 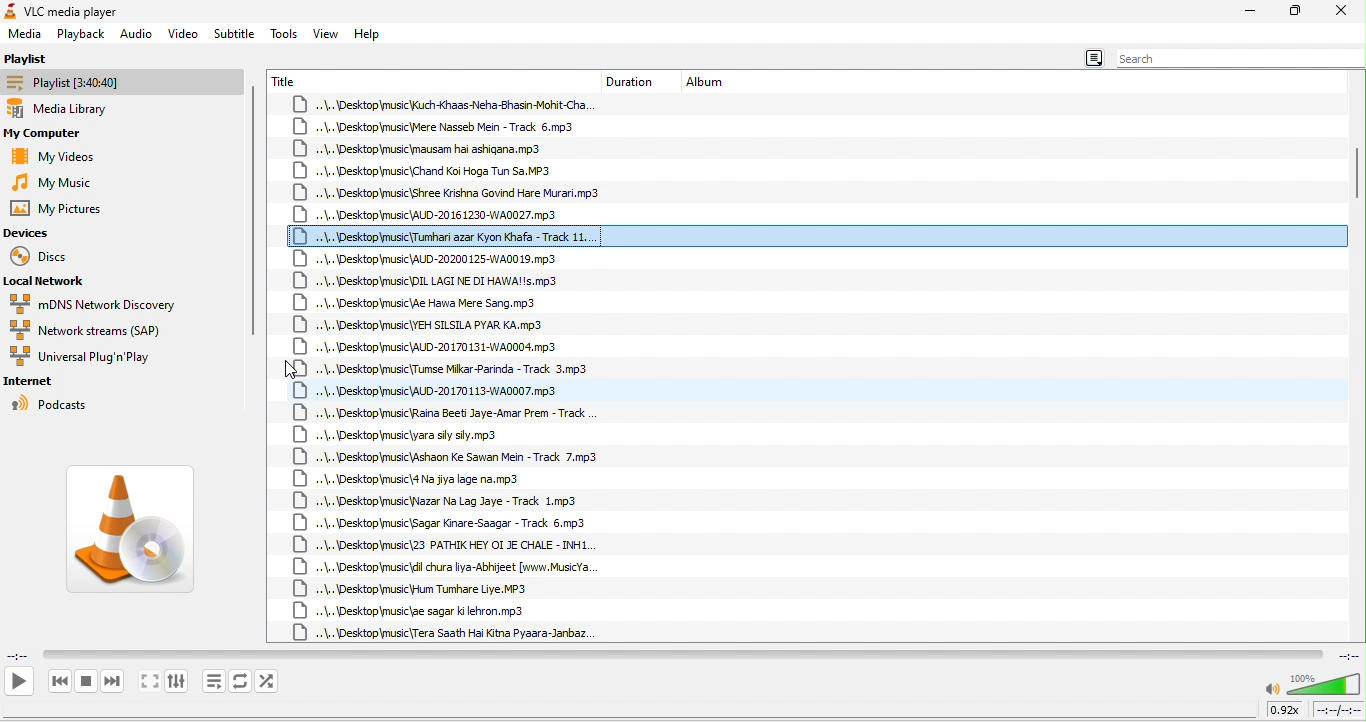 I want to click on cursor, so click(x=294, y=368).